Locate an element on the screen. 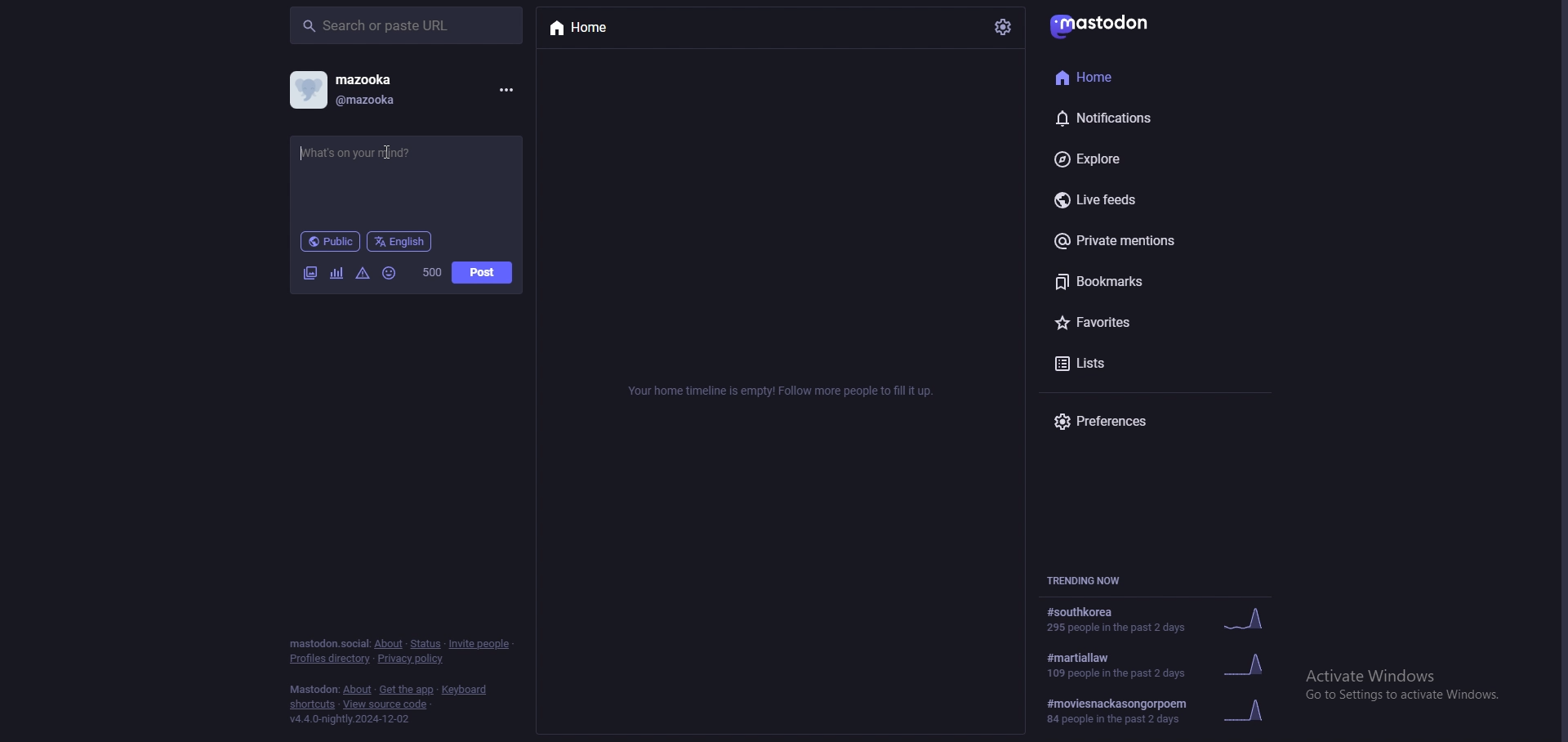 Image resolution: width=1568 pixels, height=742 pixels. home is located at coordinates (1116, 77).